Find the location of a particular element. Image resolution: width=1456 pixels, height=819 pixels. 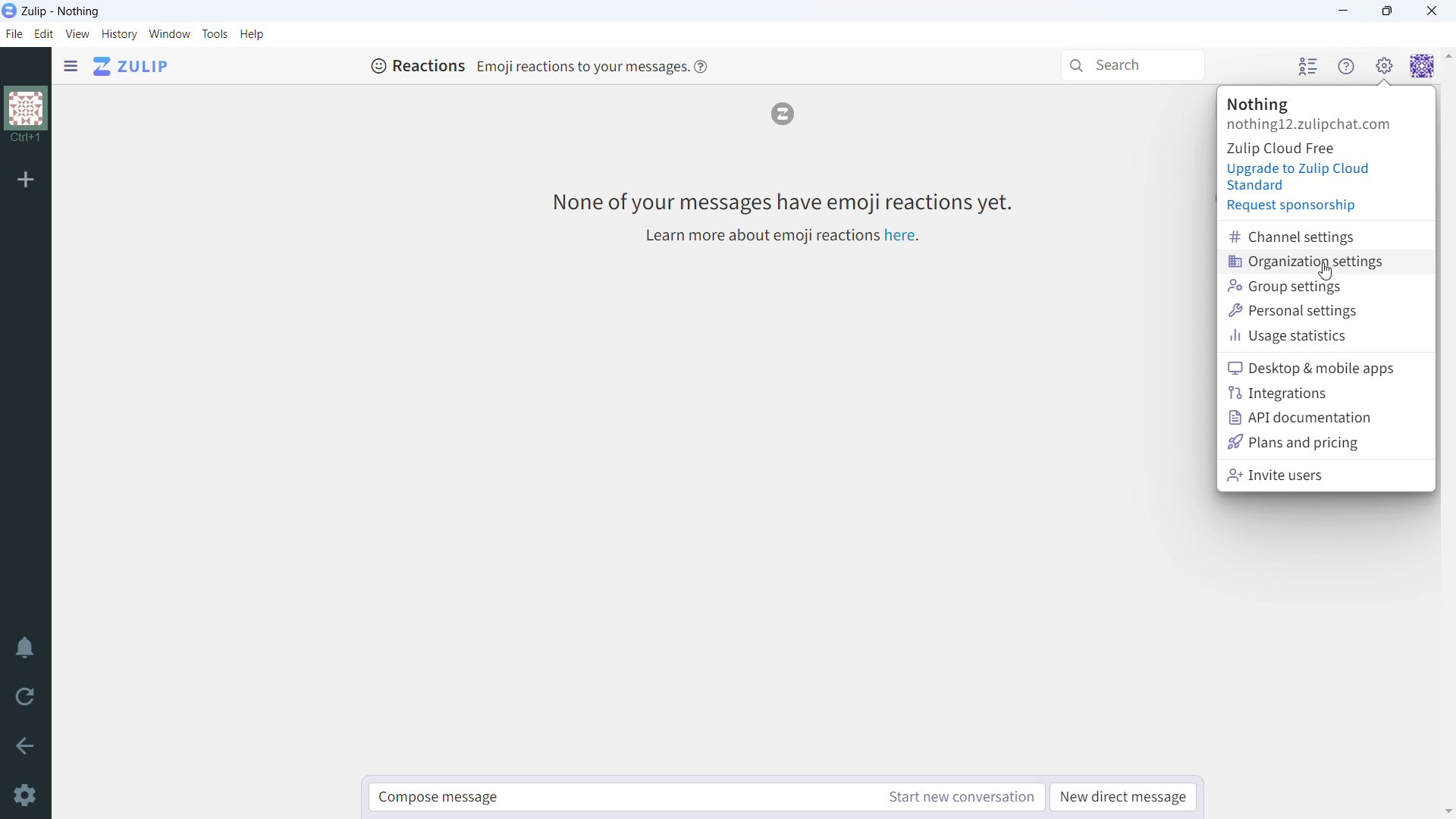

api documentation is located at coordinates (1326, 418).